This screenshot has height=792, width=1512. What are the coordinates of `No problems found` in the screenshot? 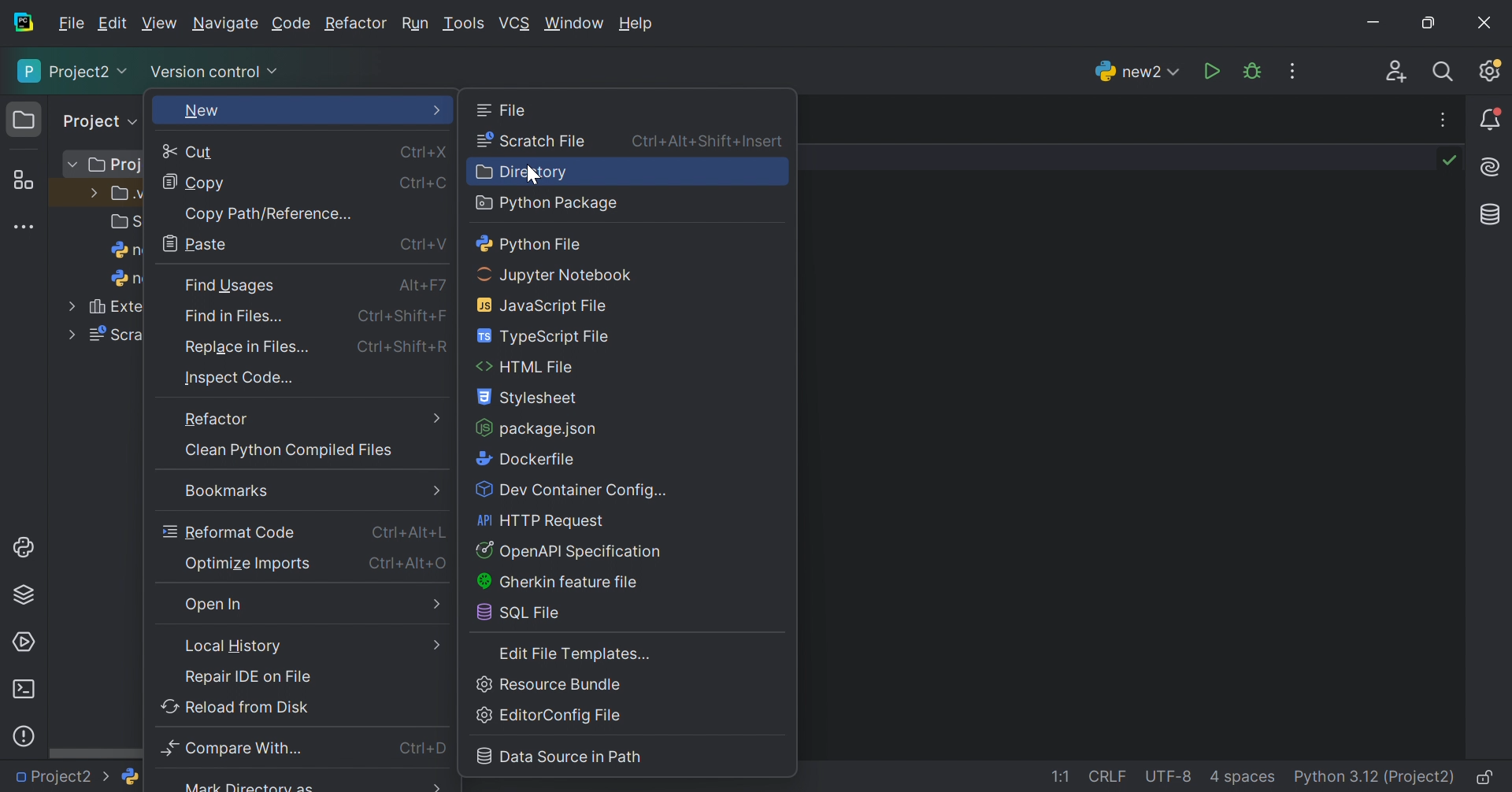 It's located at (1449, 160).